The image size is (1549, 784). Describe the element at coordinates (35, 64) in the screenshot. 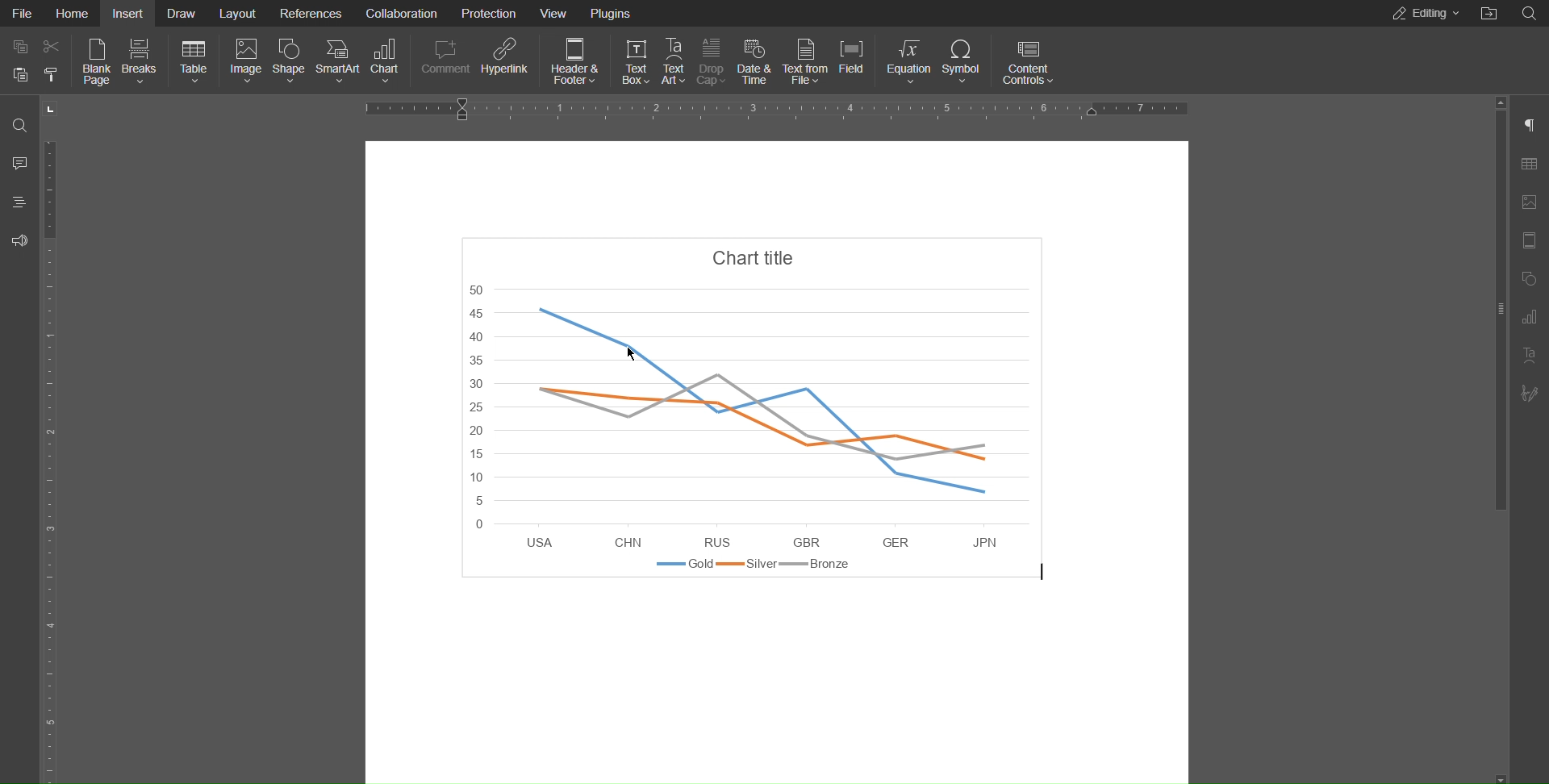

I see `Copy Paste Options` at that location.